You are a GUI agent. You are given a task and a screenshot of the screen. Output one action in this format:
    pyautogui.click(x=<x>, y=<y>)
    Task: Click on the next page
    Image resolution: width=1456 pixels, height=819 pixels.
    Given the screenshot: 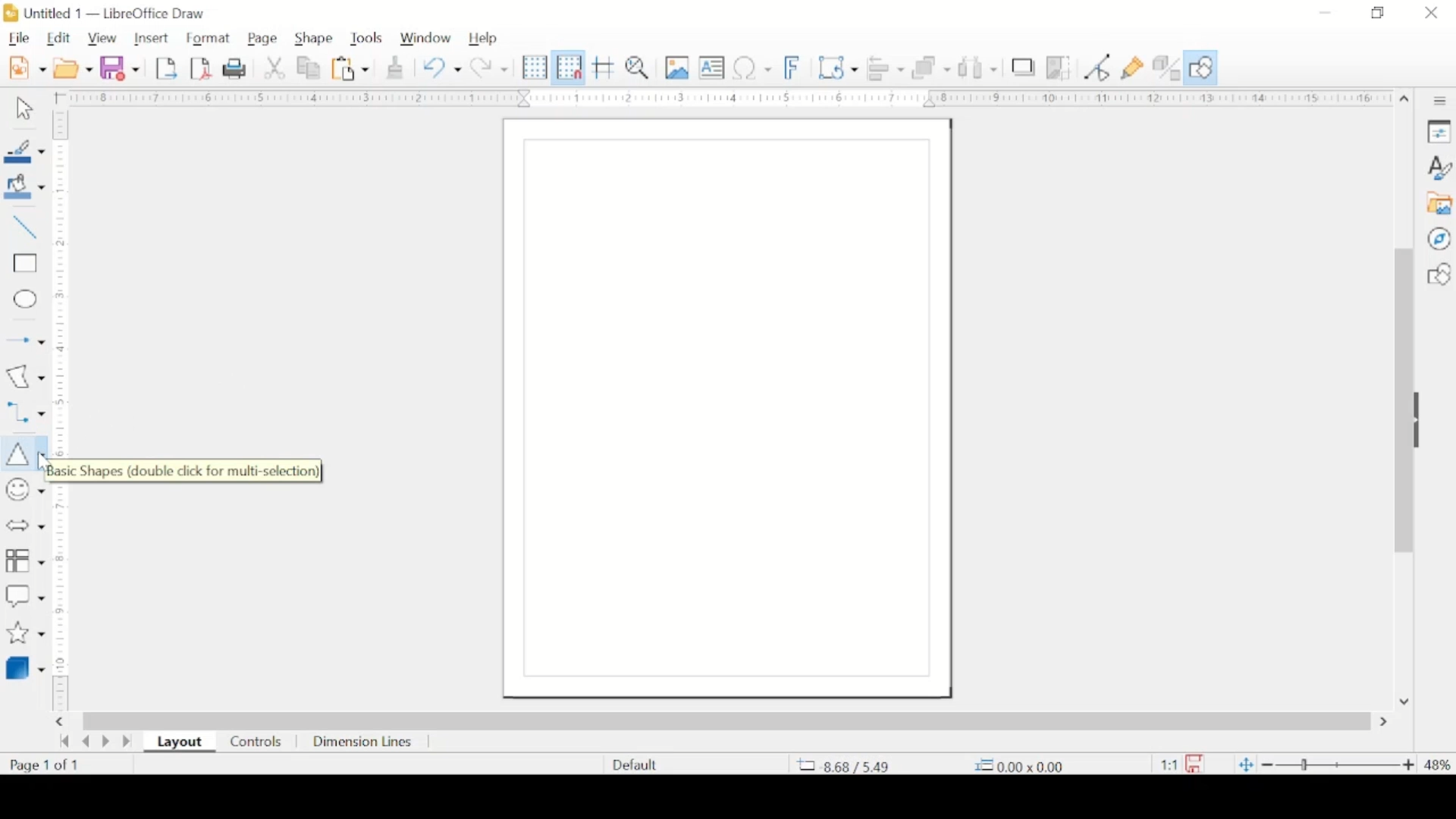 What is the action you would take?
    pyautogui.click(x=105, y=743)
    